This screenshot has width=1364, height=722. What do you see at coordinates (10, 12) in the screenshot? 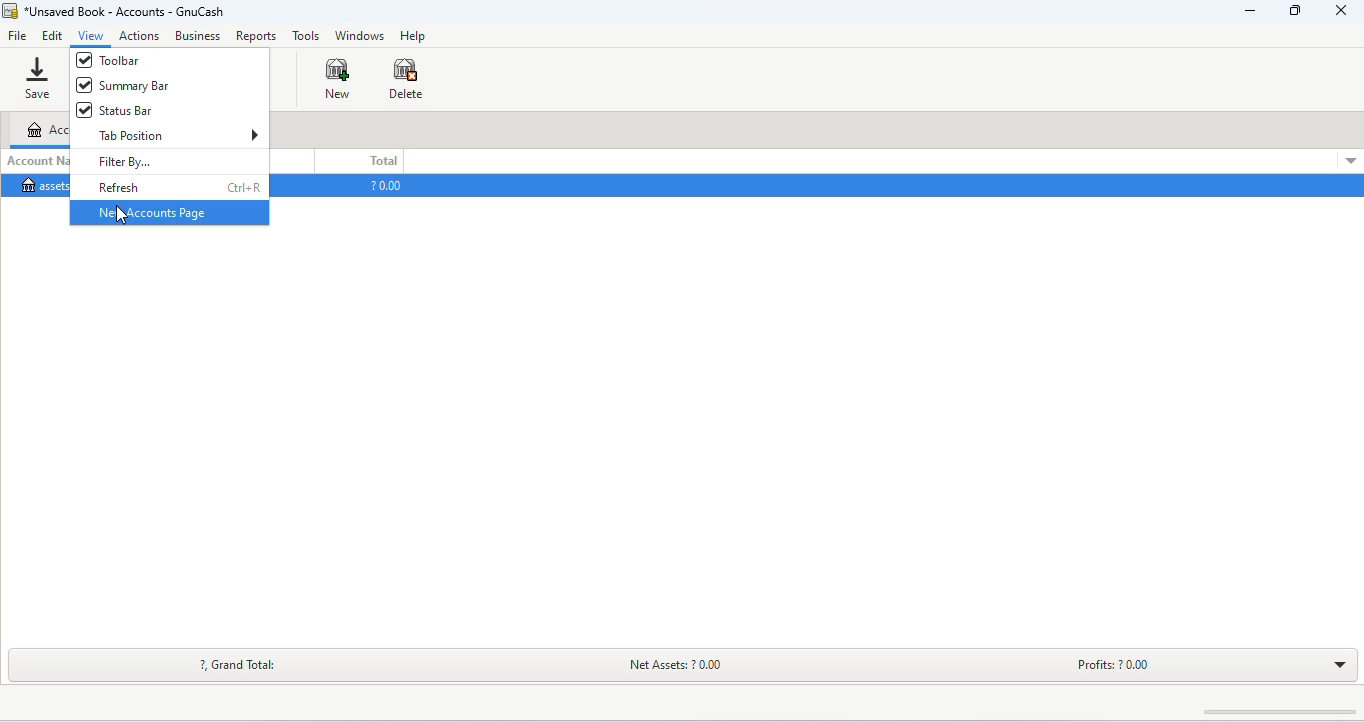
I see `gnucash logo` at bounding box center [10, 12].